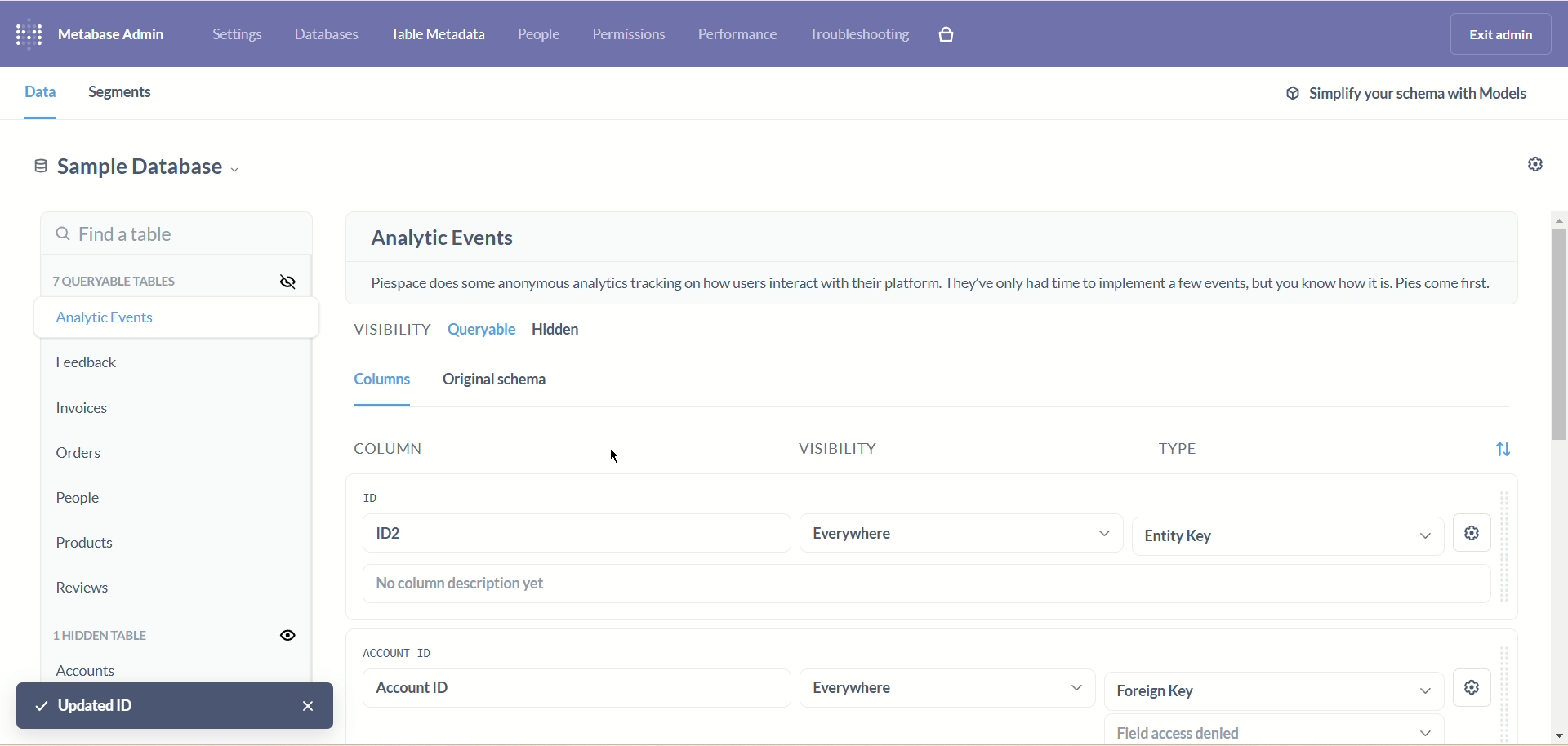 Image resolution: width=1568 pixels, height=746 pixels. What do you see at coordinates (281, 322) in the screenshot?
I see `Hide` at bounding box center [281, 322].